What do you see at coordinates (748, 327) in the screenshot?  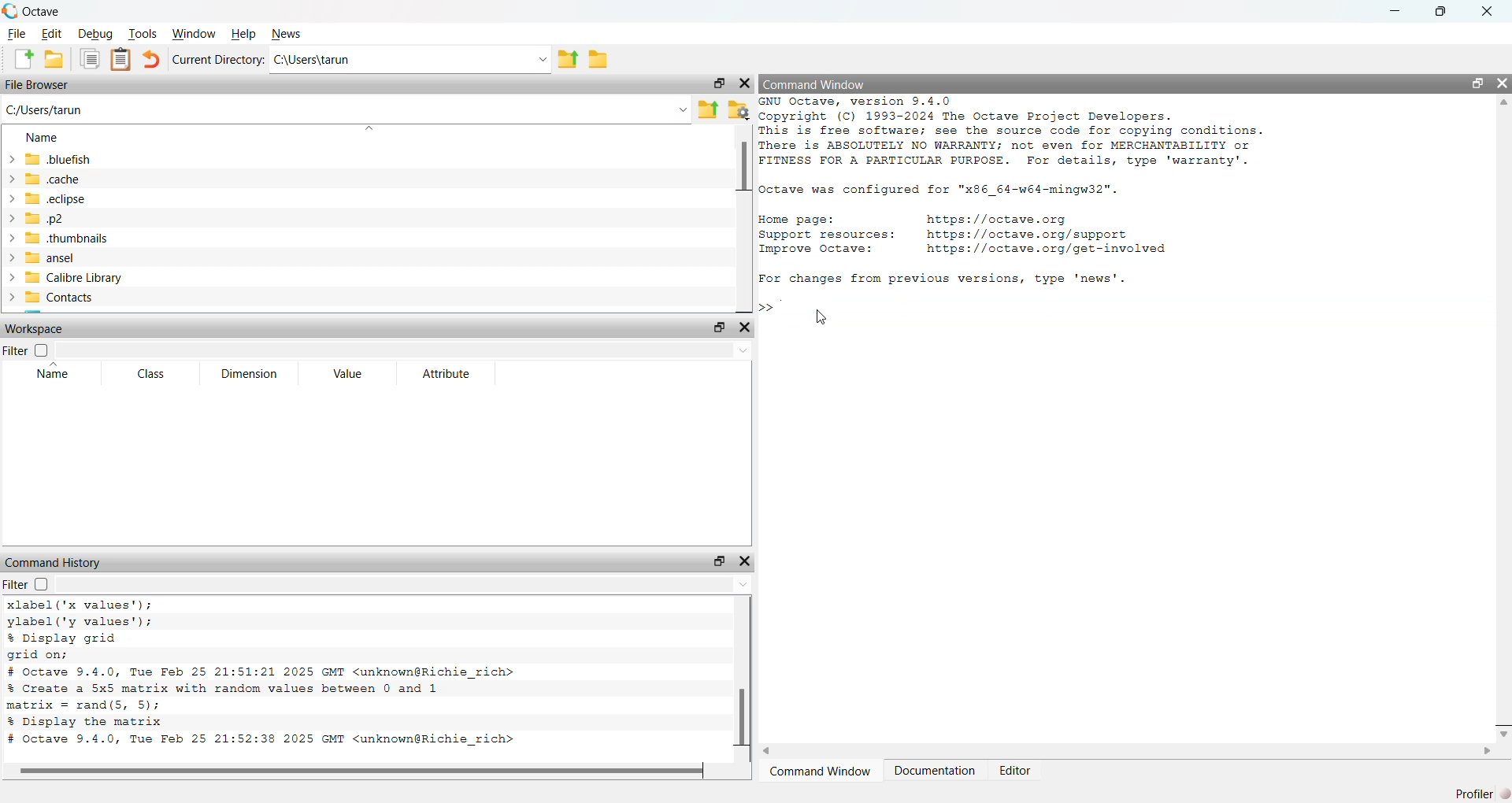 I see `close` at bounding box center [748, 327].